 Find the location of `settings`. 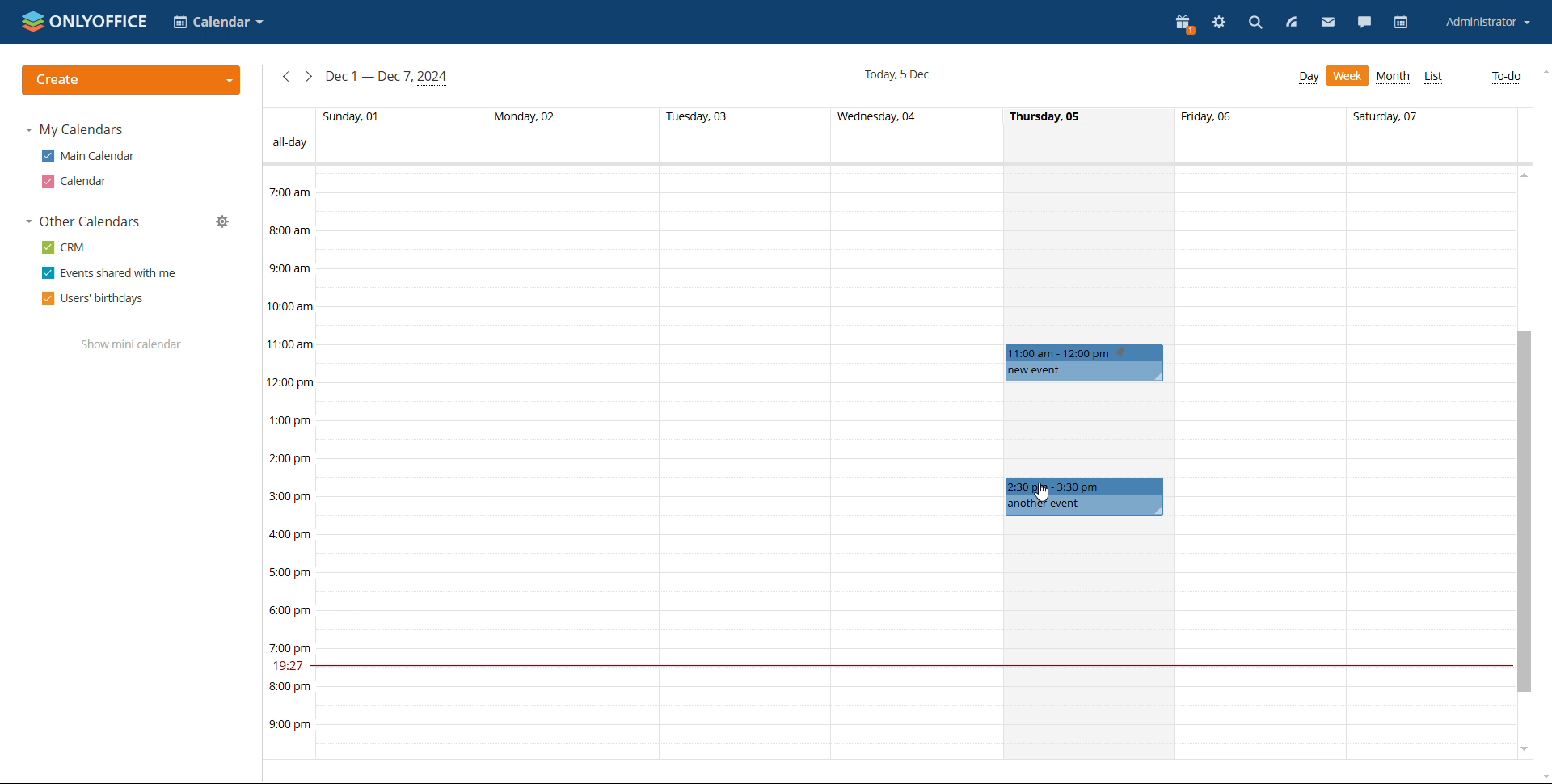

settings is located at coordinates (1221, 23).